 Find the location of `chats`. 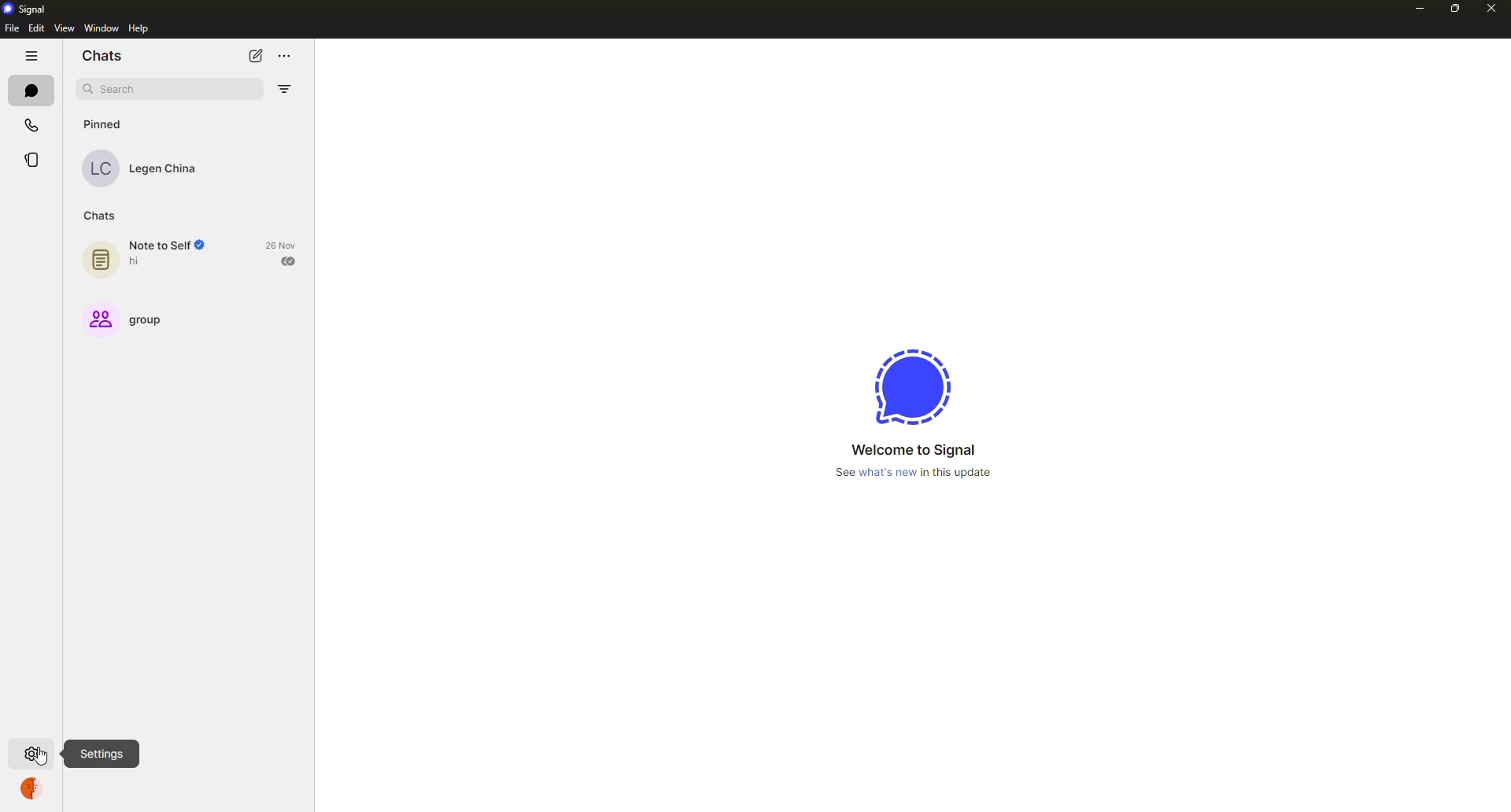

chats is located at coordinates (100, 216).